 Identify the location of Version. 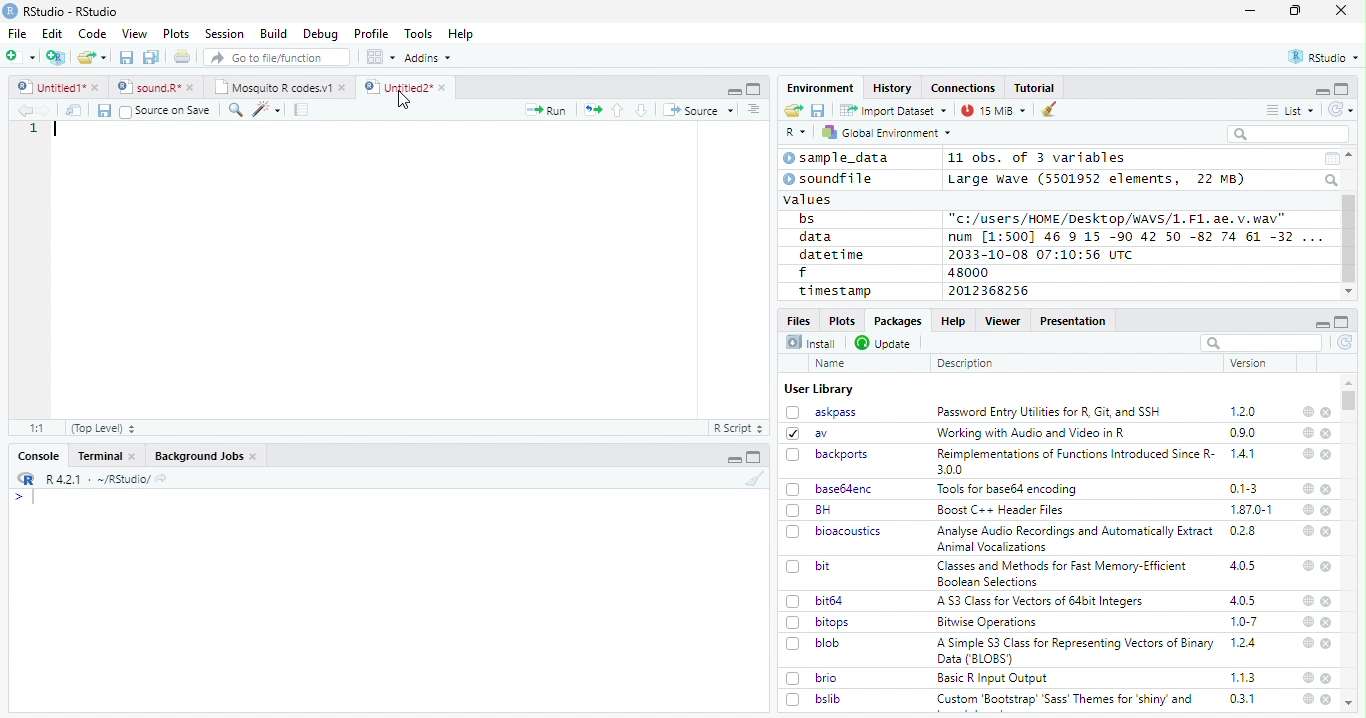
(1252, 363).